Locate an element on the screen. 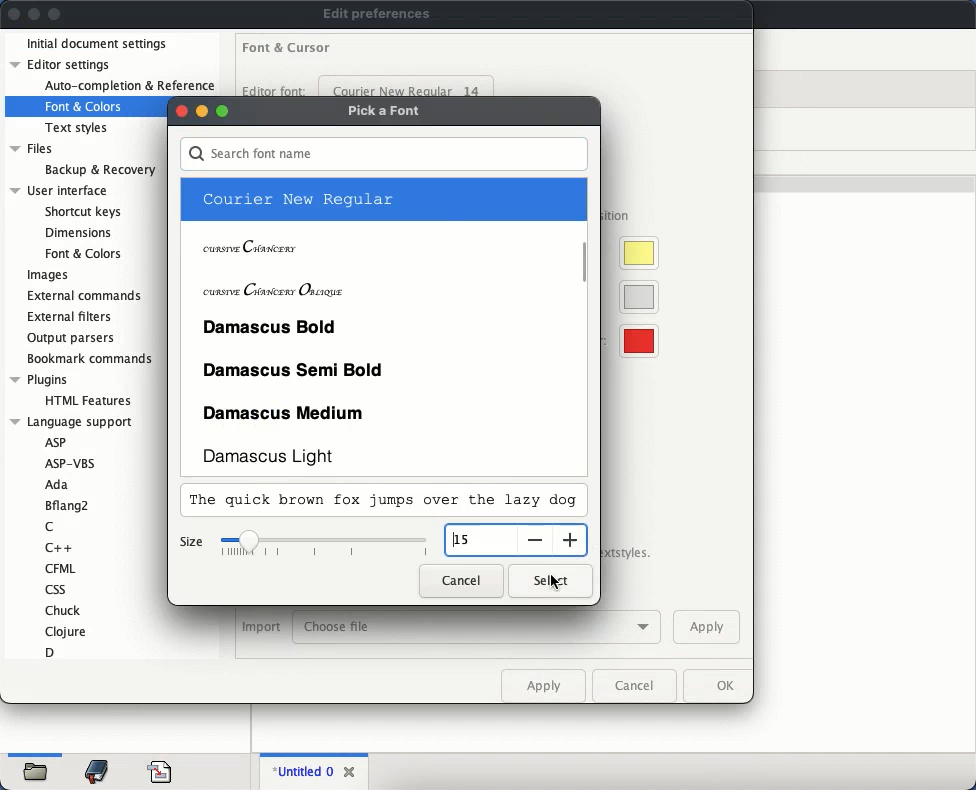  cancel is located at coordinates (462, 580).